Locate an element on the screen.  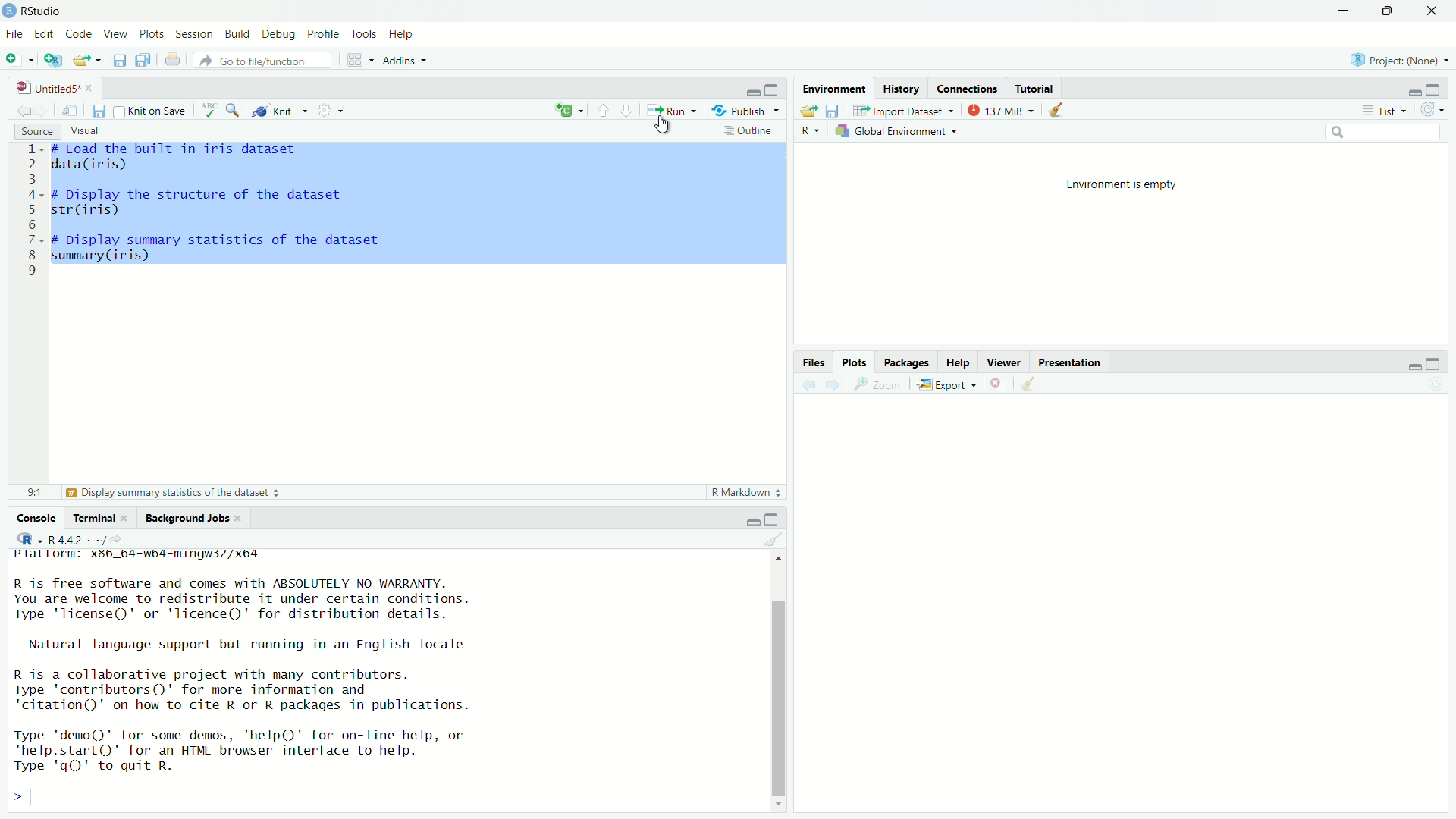
Terminal is located at coordinates (103, 518).